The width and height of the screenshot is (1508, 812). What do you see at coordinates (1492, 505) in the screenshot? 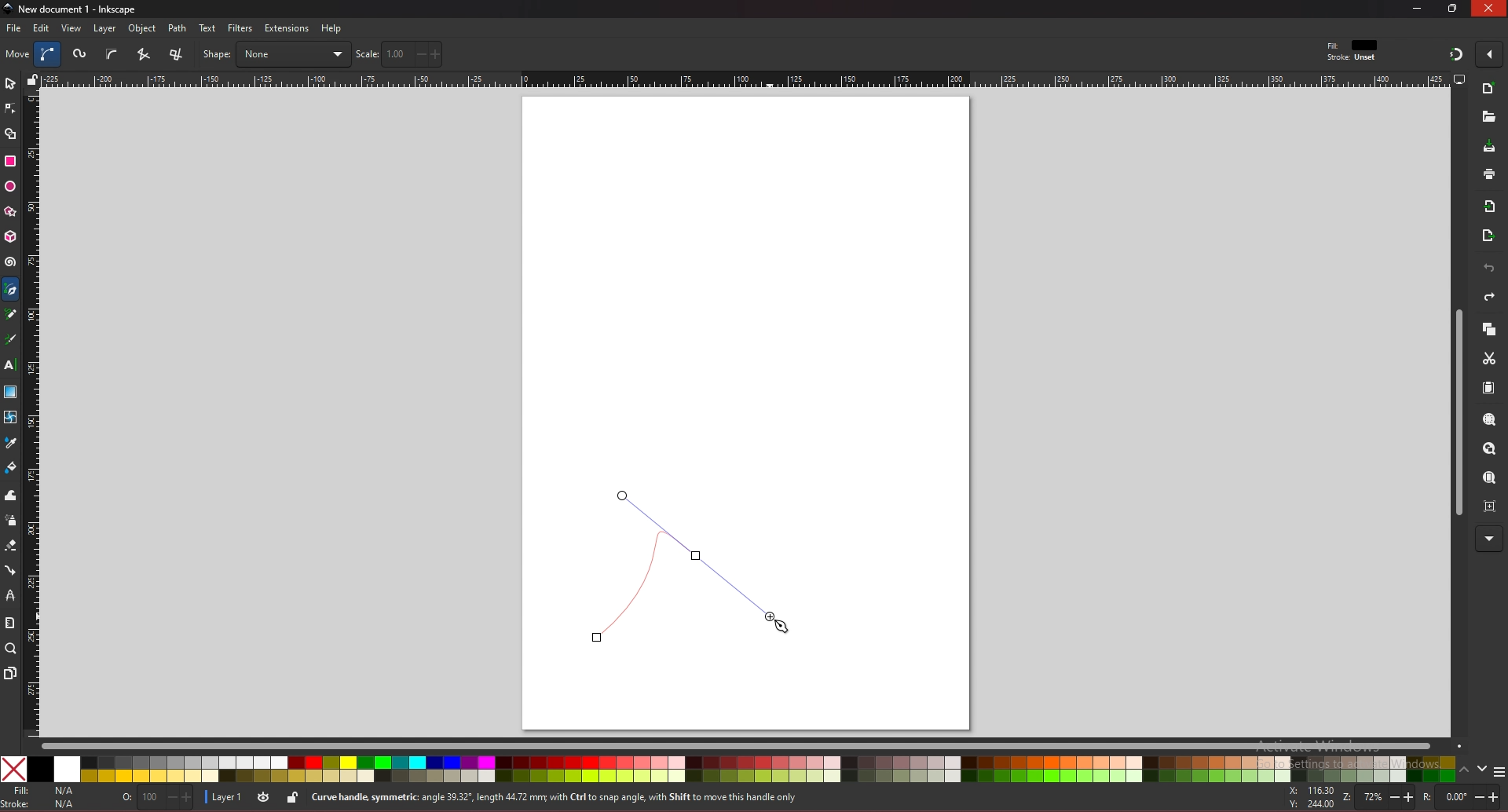
I see `zoom centre page` at bounding box center [1492, 505].